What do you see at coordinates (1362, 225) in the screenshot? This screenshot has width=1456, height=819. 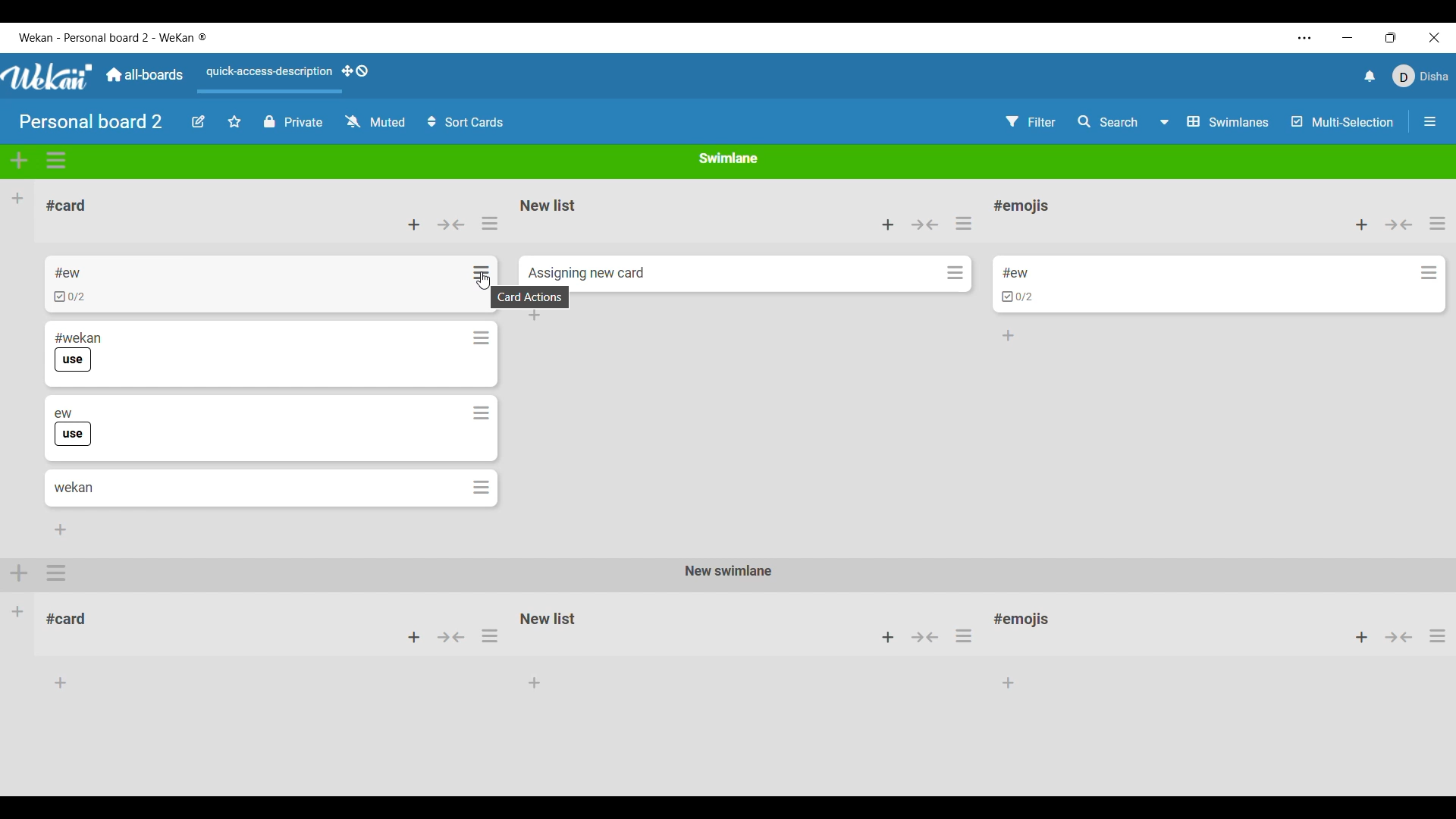 I see `Add card to top of list` at bounding box center [1362, 225].